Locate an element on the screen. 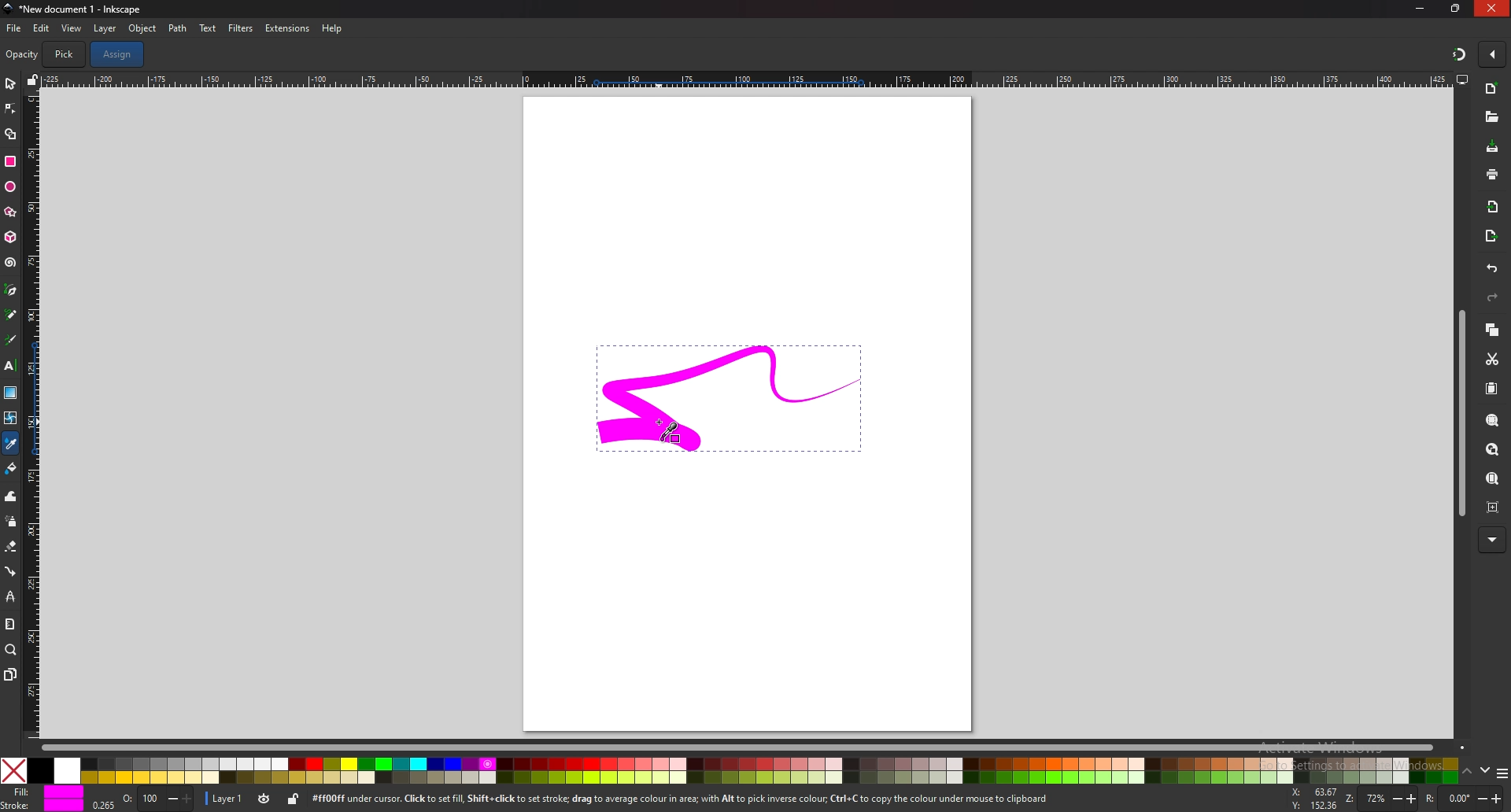 This screenshot has height=812, width=1511. text is located at coordinates (209, 28).